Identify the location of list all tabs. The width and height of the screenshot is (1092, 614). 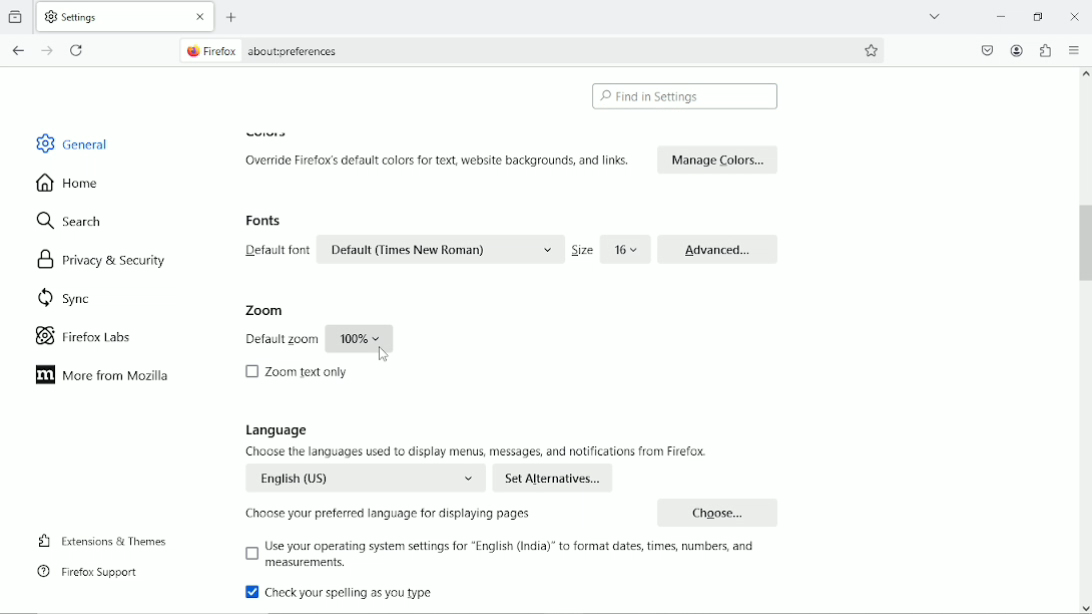
(936, 16).